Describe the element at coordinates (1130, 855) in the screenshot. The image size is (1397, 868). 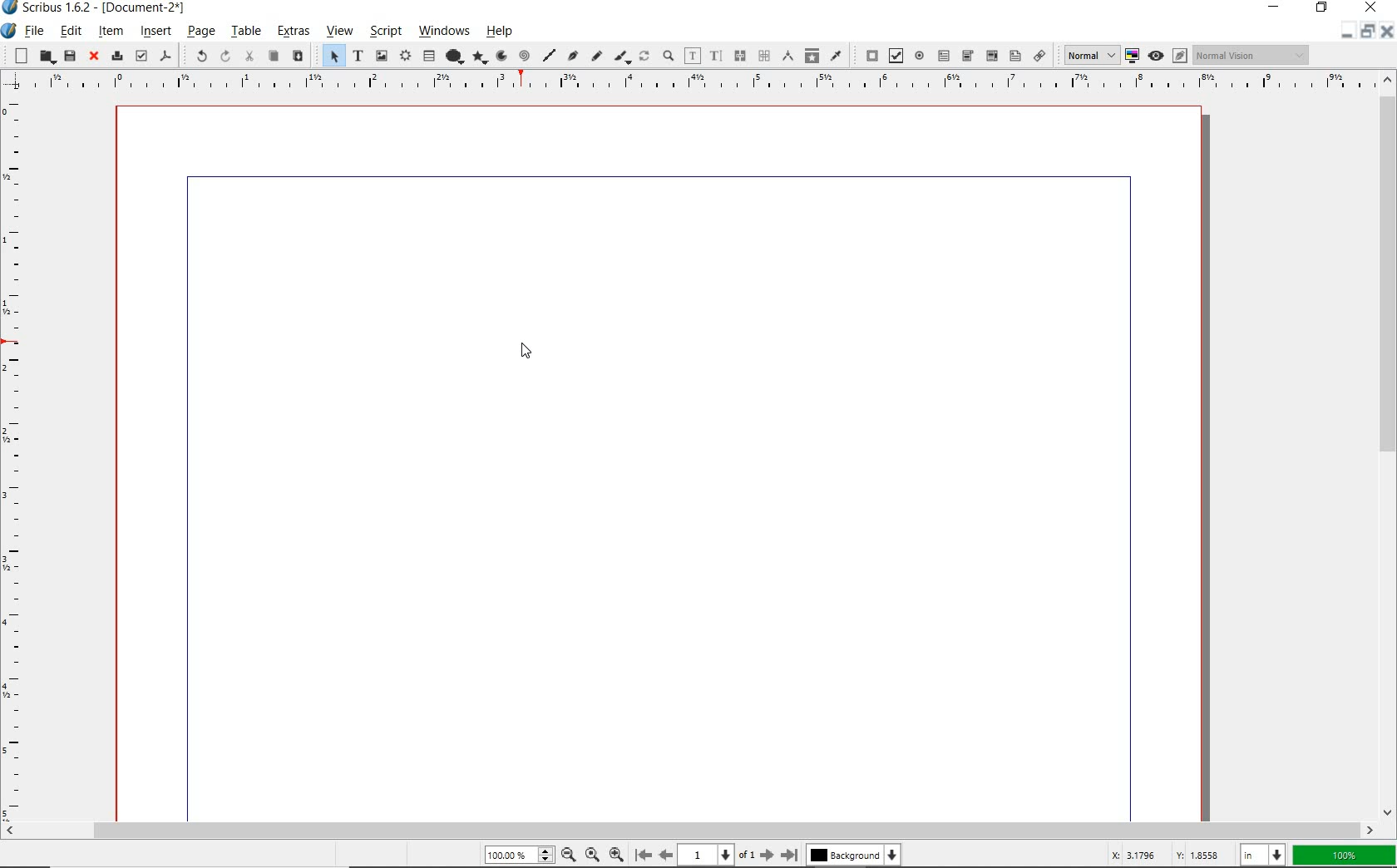
I see `x: 3.17%` at that location.